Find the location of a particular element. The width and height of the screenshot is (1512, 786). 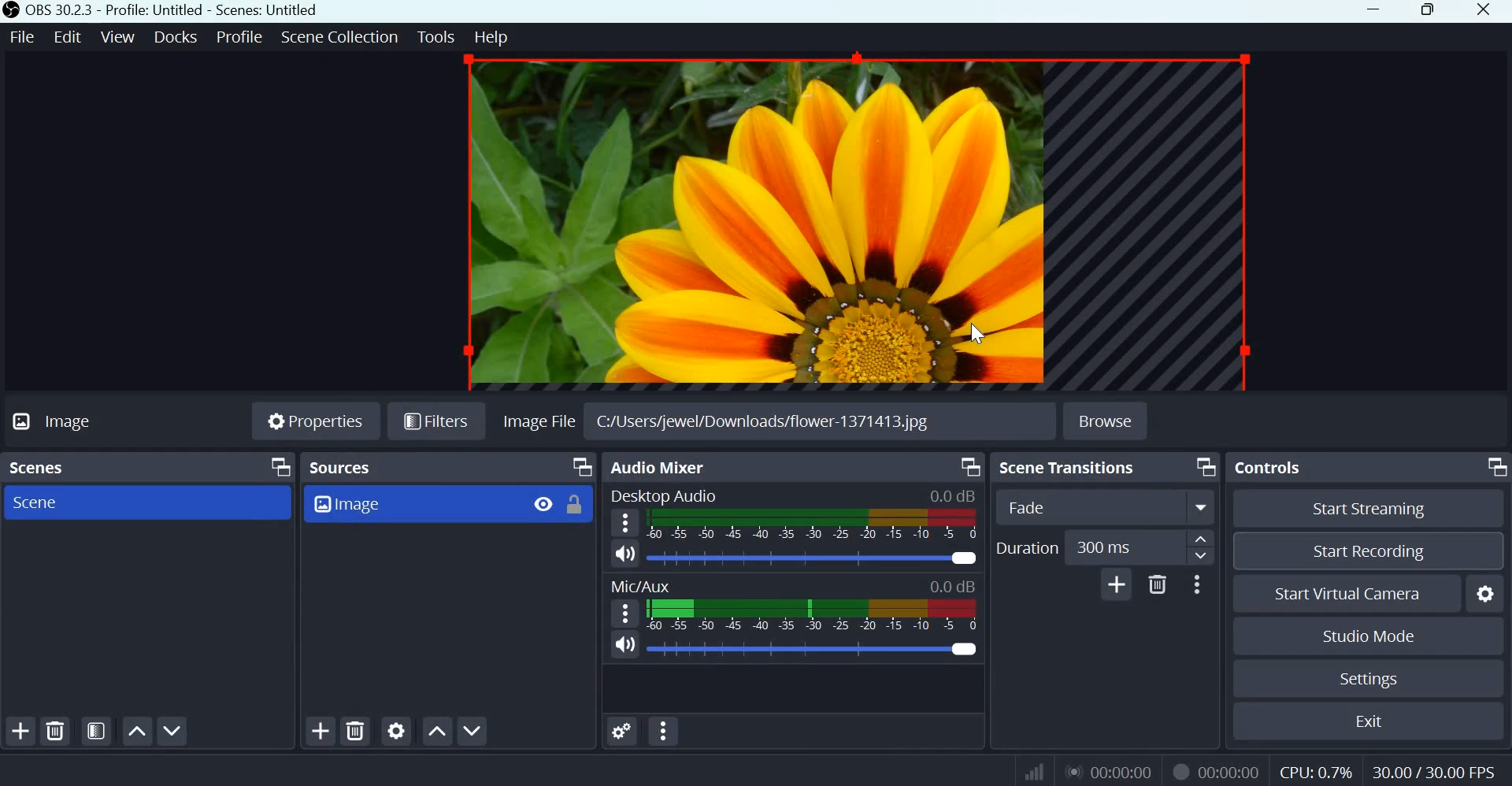

More options is located at coordinates (1202, 508).